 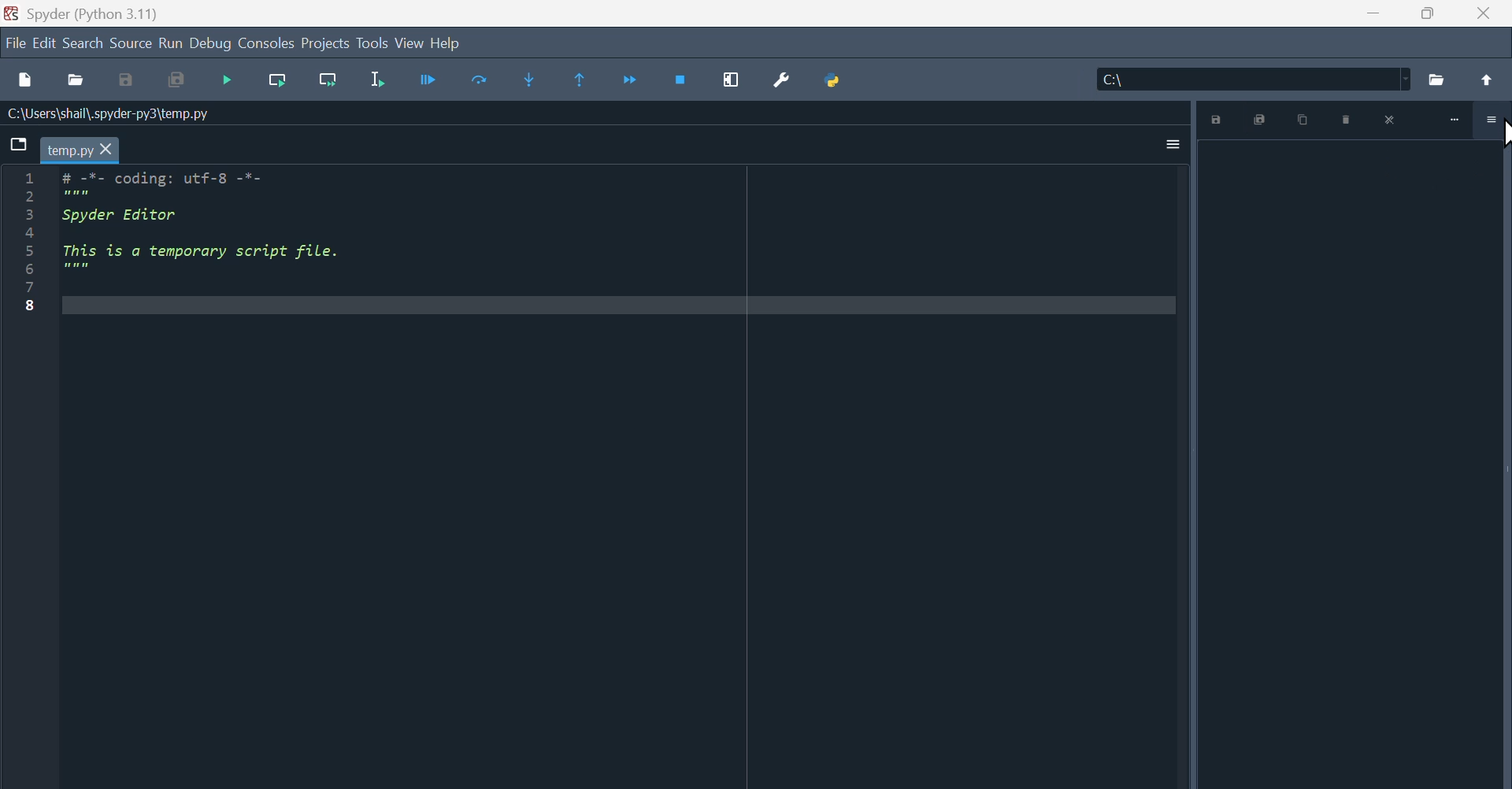 I want to click on Step into function, so click(x=534, y=79).